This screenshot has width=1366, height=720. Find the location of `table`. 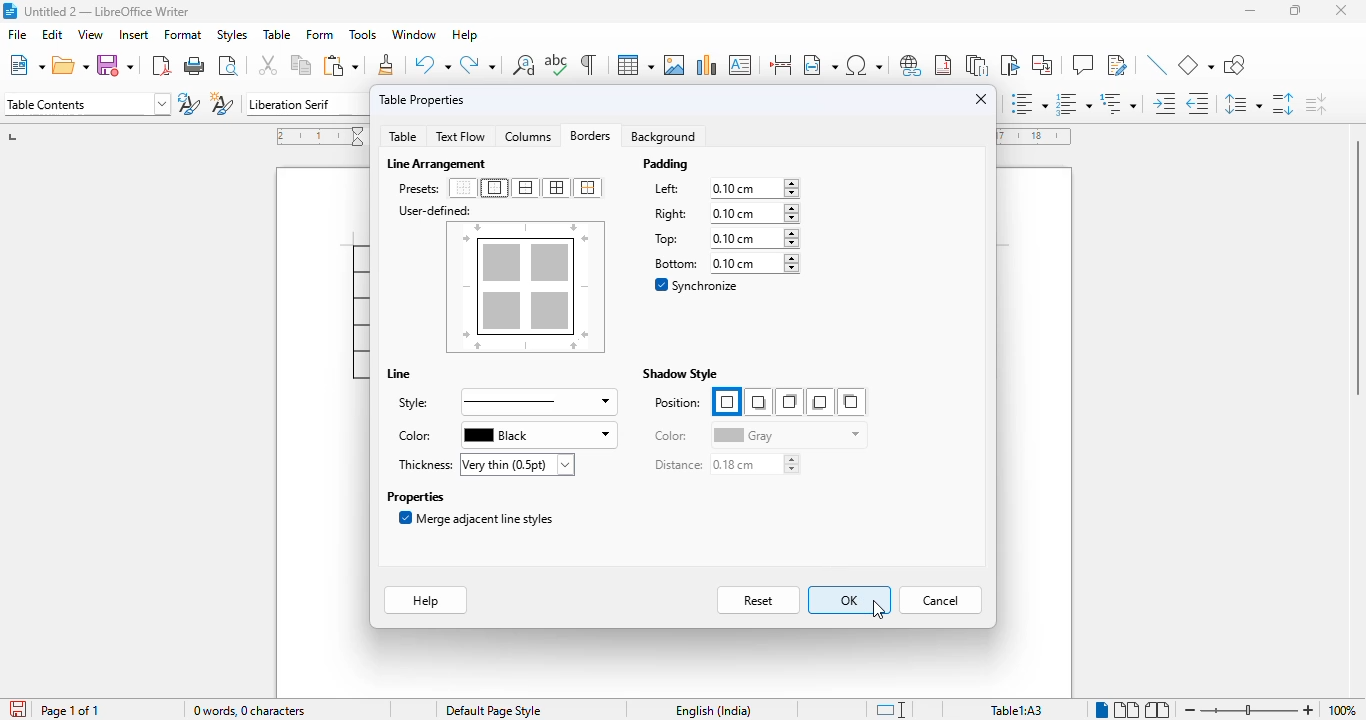

table is located at coordinates (402, 136).